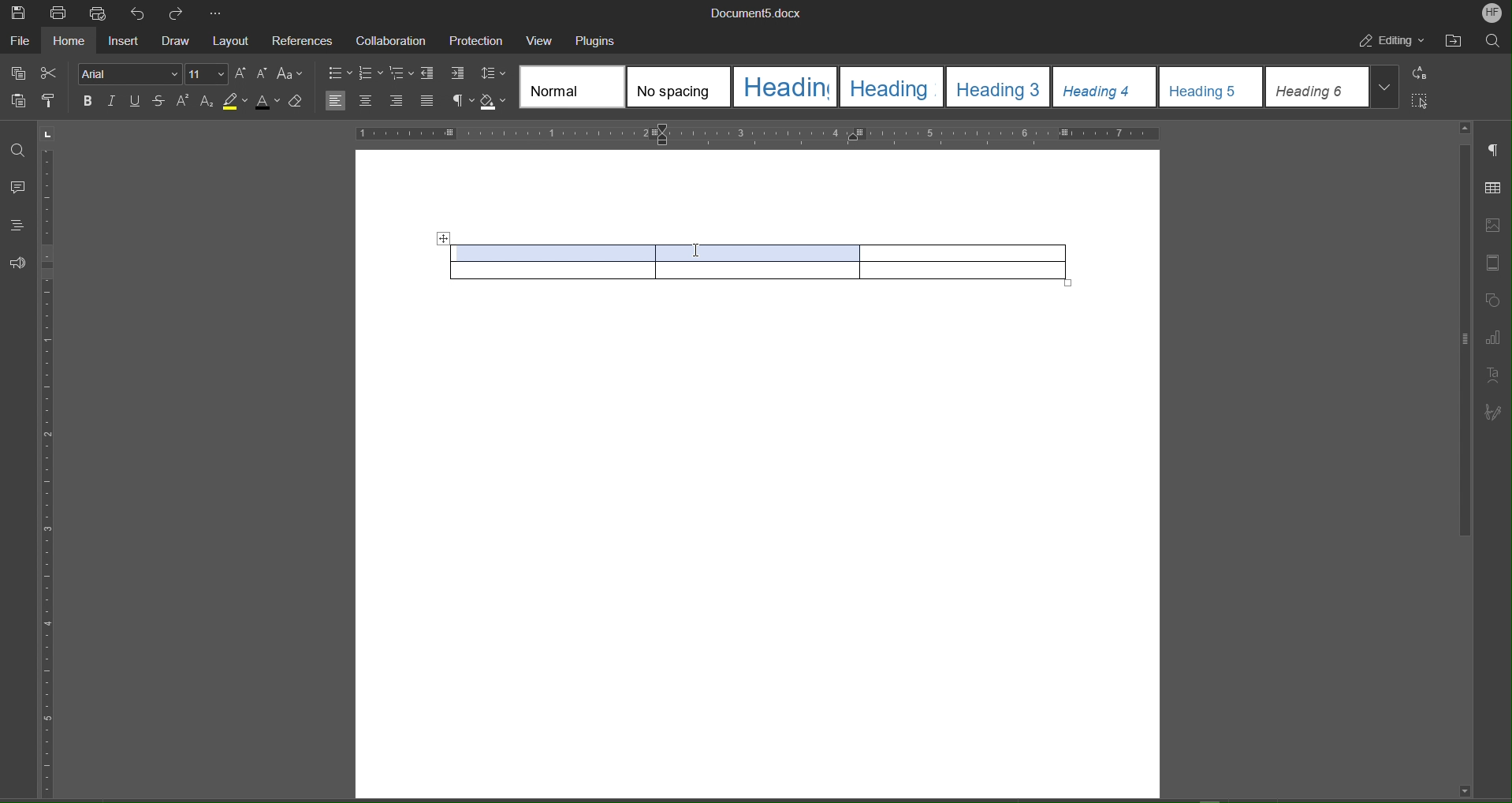 Image resolution: width=1512 pixels, height=803 pixels. Describe the element at coordinates (142, 14) in the screenshot. I see `Undo` at that location.